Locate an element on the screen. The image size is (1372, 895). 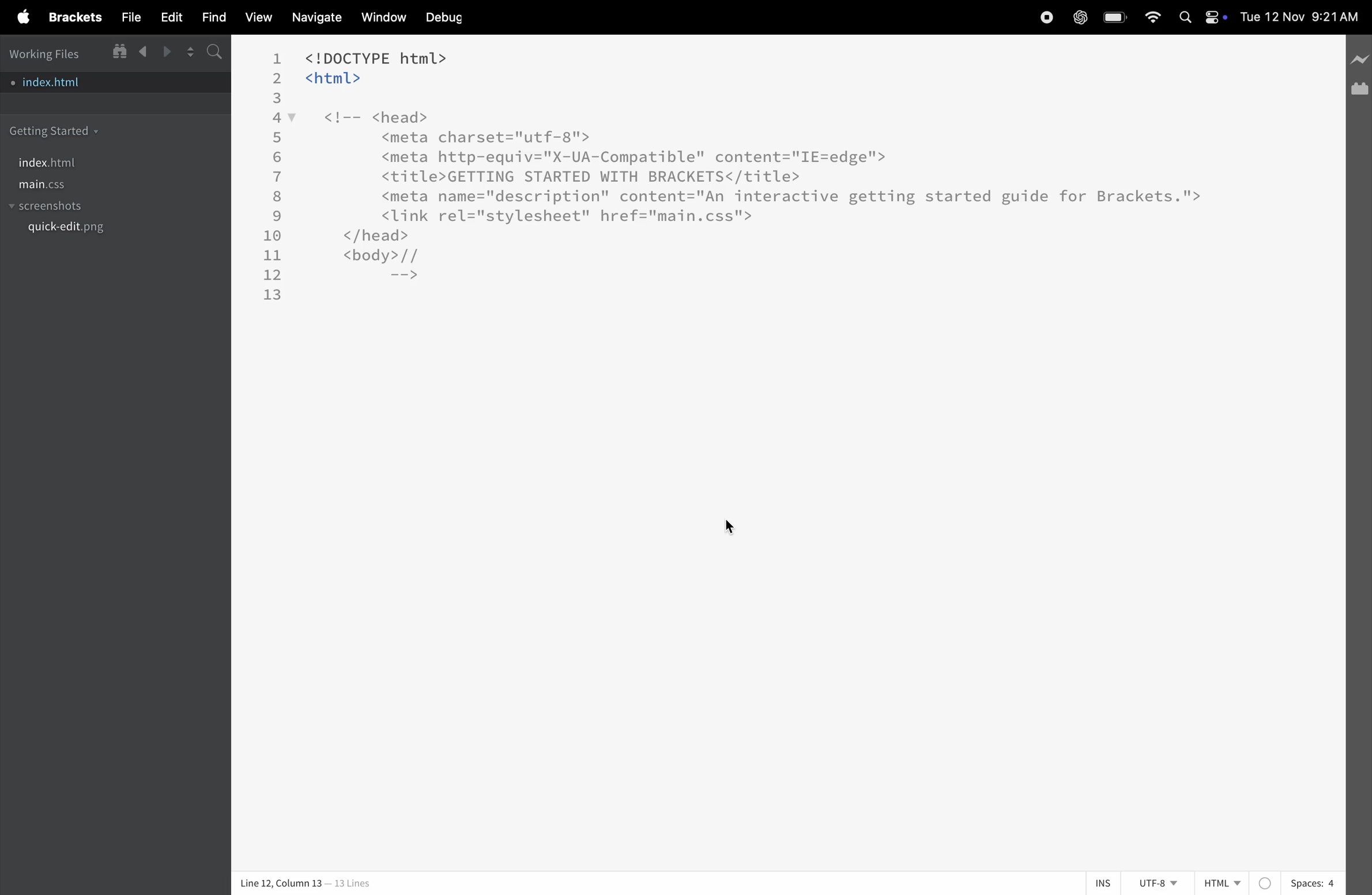
quickedit.png is located at coordinates (87, 231).